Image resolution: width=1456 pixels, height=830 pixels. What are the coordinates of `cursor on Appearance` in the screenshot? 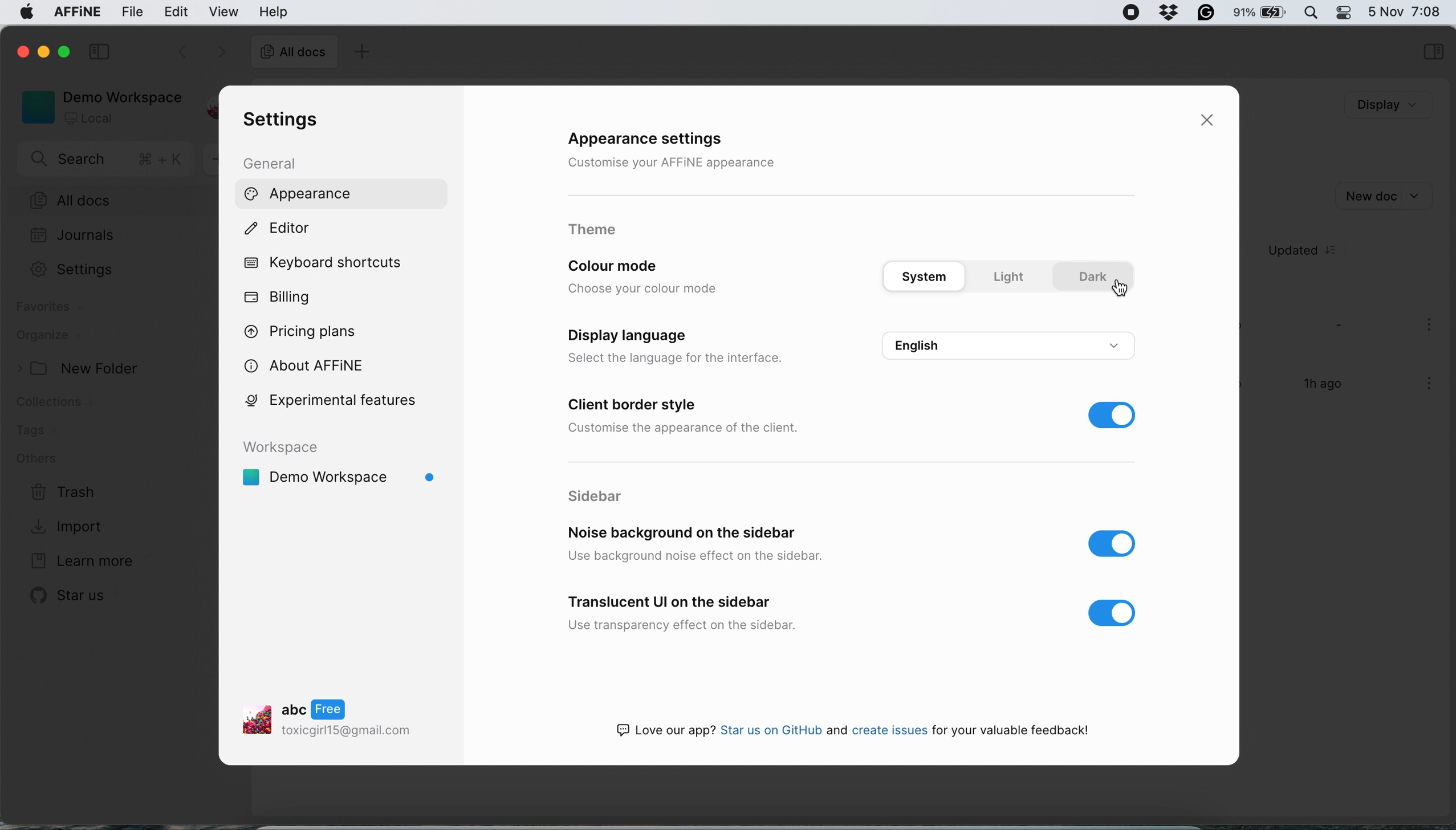 It's located at (413, 204).